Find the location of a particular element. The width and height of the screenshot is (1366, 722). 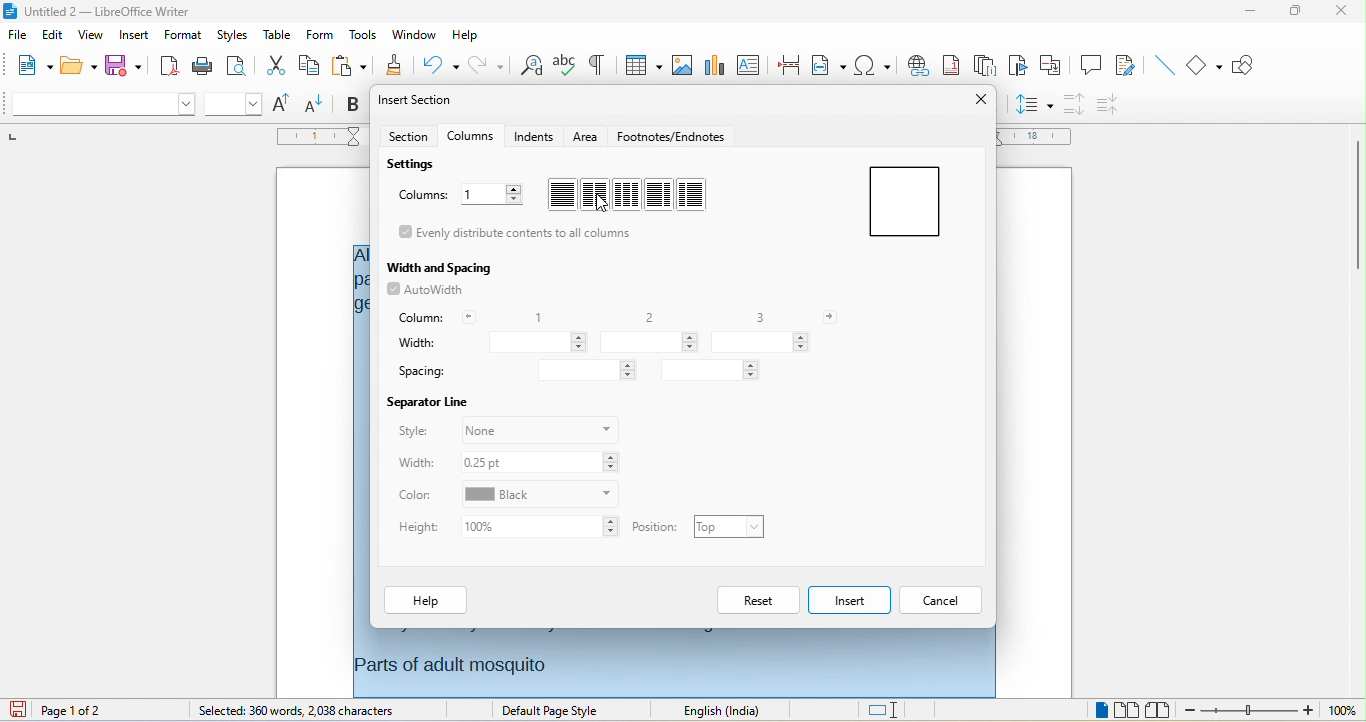

export directly as pdf is located at coordinates (165, 65).